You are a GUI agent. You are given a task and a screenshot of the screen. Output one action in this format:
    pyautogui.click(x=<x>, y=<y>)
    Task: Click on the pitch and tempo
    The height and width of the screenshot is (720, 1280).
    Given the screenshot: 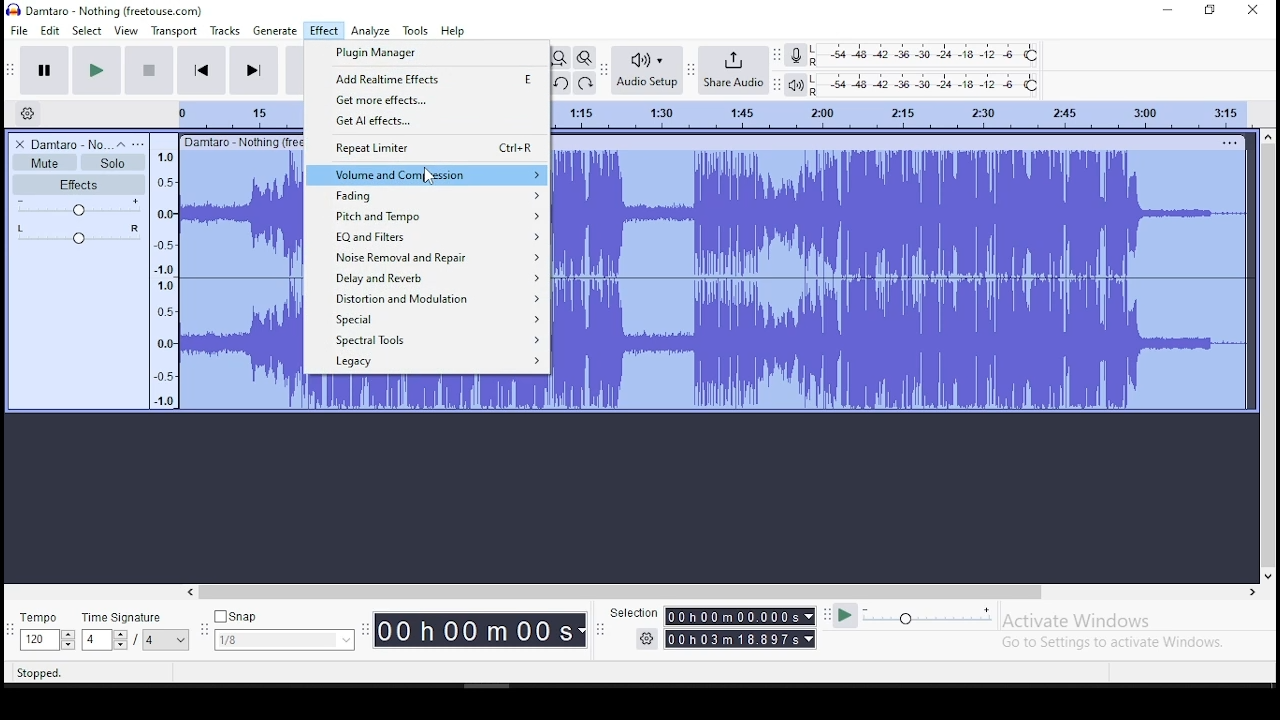 What is the action you would take?
    pyautogui.click(x=427, y=215)
    